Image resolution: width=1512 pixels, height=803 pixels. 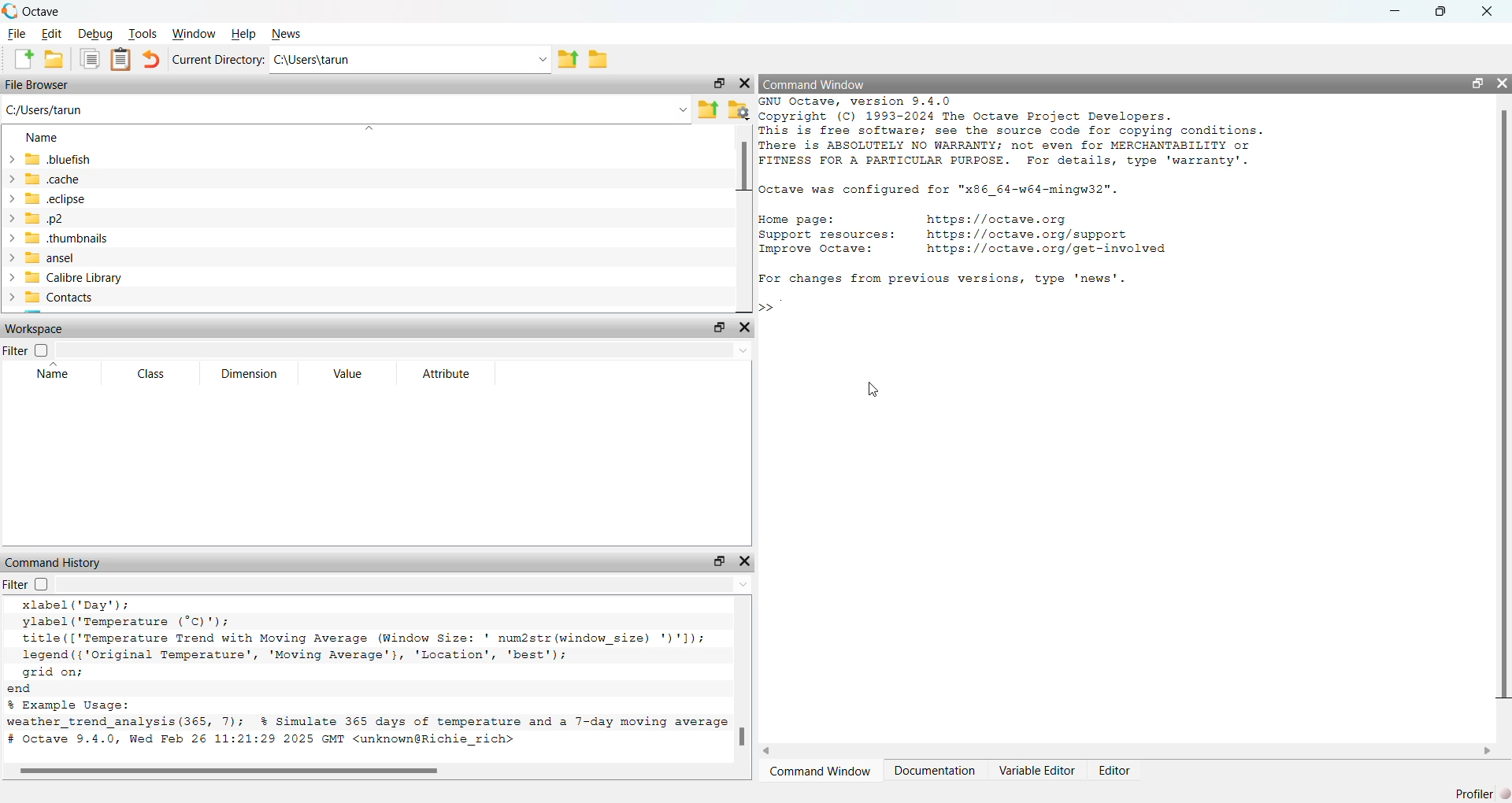 I want to click on close, so click(x=1488, y=13).